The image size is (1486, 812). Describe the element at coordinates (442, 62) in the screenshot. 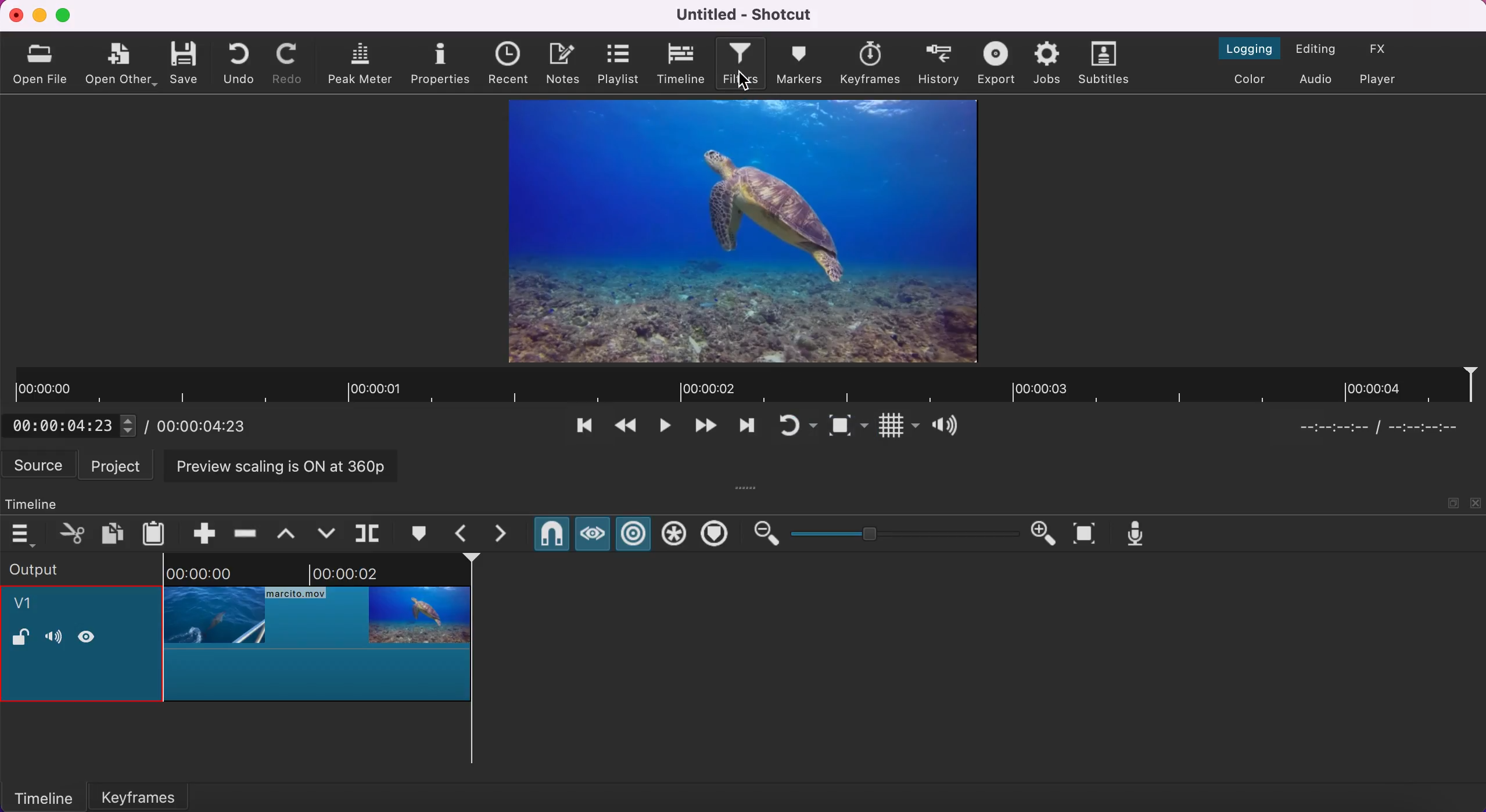

I see `properties` at that location.